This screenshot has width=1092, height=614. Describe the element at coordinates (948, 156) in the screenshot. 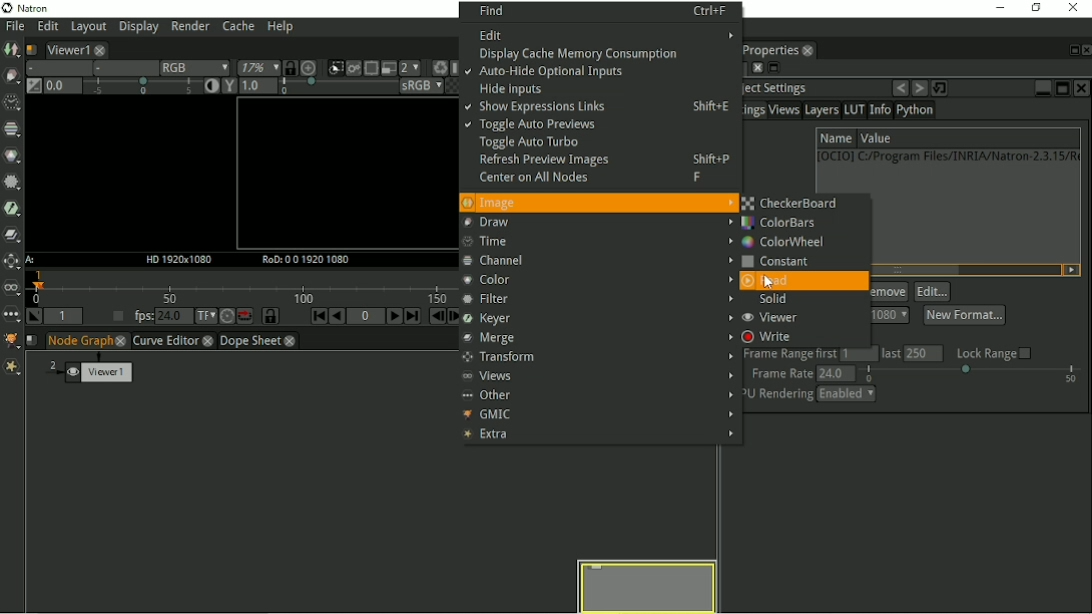

I see `1 [0CIO0] C:/Program Files/INRIA/Natron-2.3.15/R(` at that location.